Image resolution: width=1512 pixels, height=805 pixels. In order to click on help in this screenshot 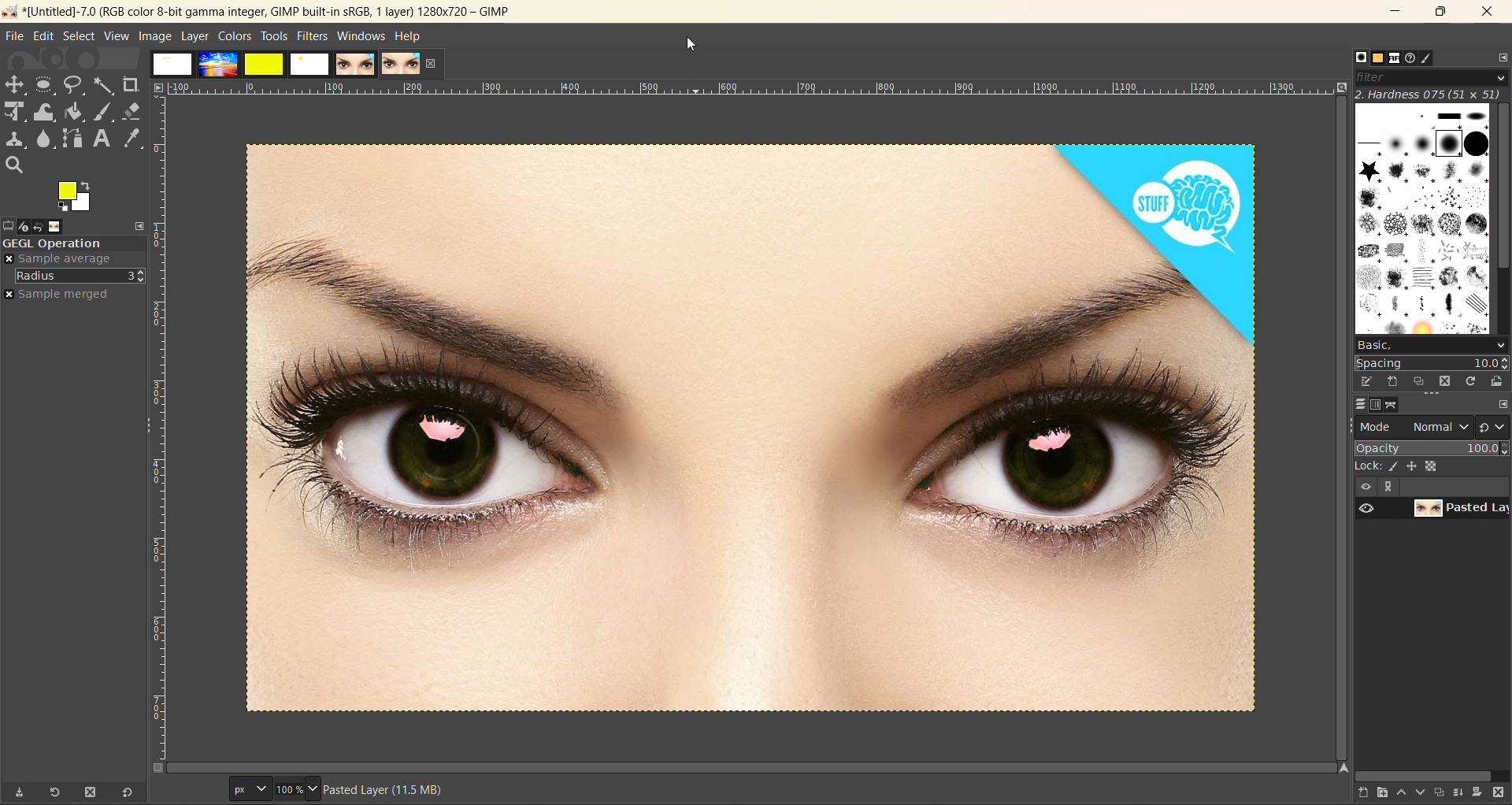, I will do `click(409, 36)`.